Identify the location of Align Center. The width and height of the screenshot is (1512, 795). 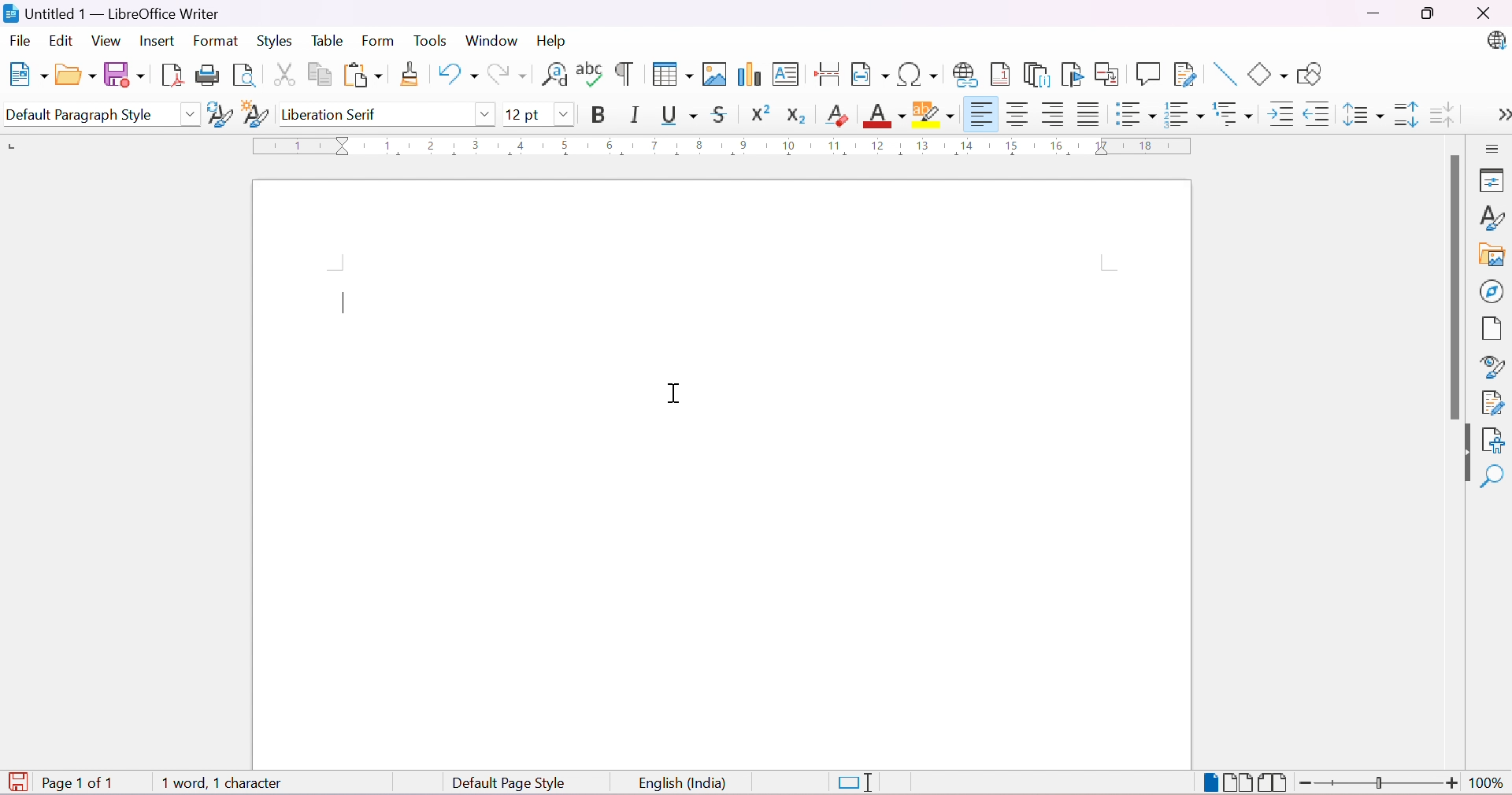
(1015, 113).